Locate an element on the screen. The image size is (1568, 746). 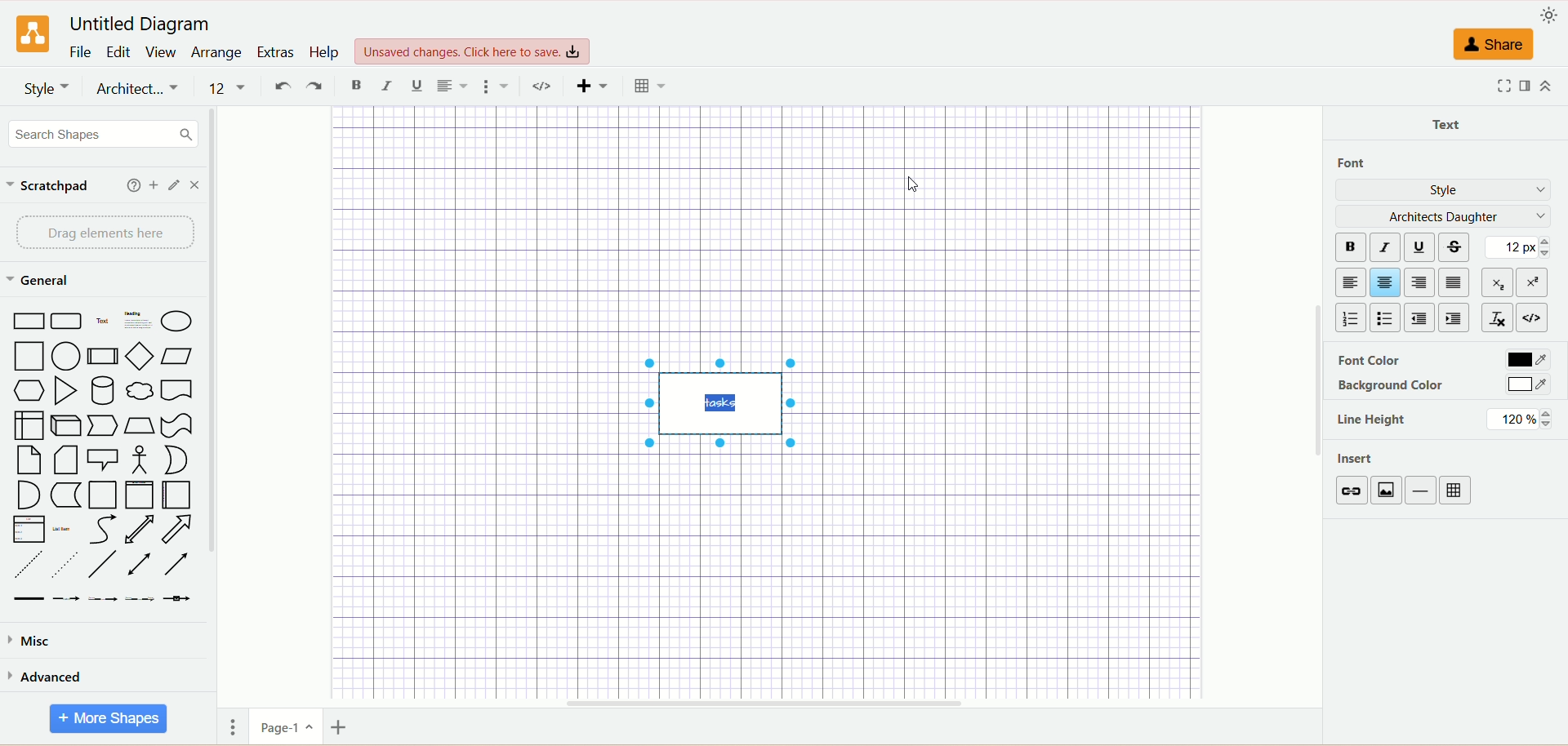
Two-way Arrow is located at coordinates (140, 530).